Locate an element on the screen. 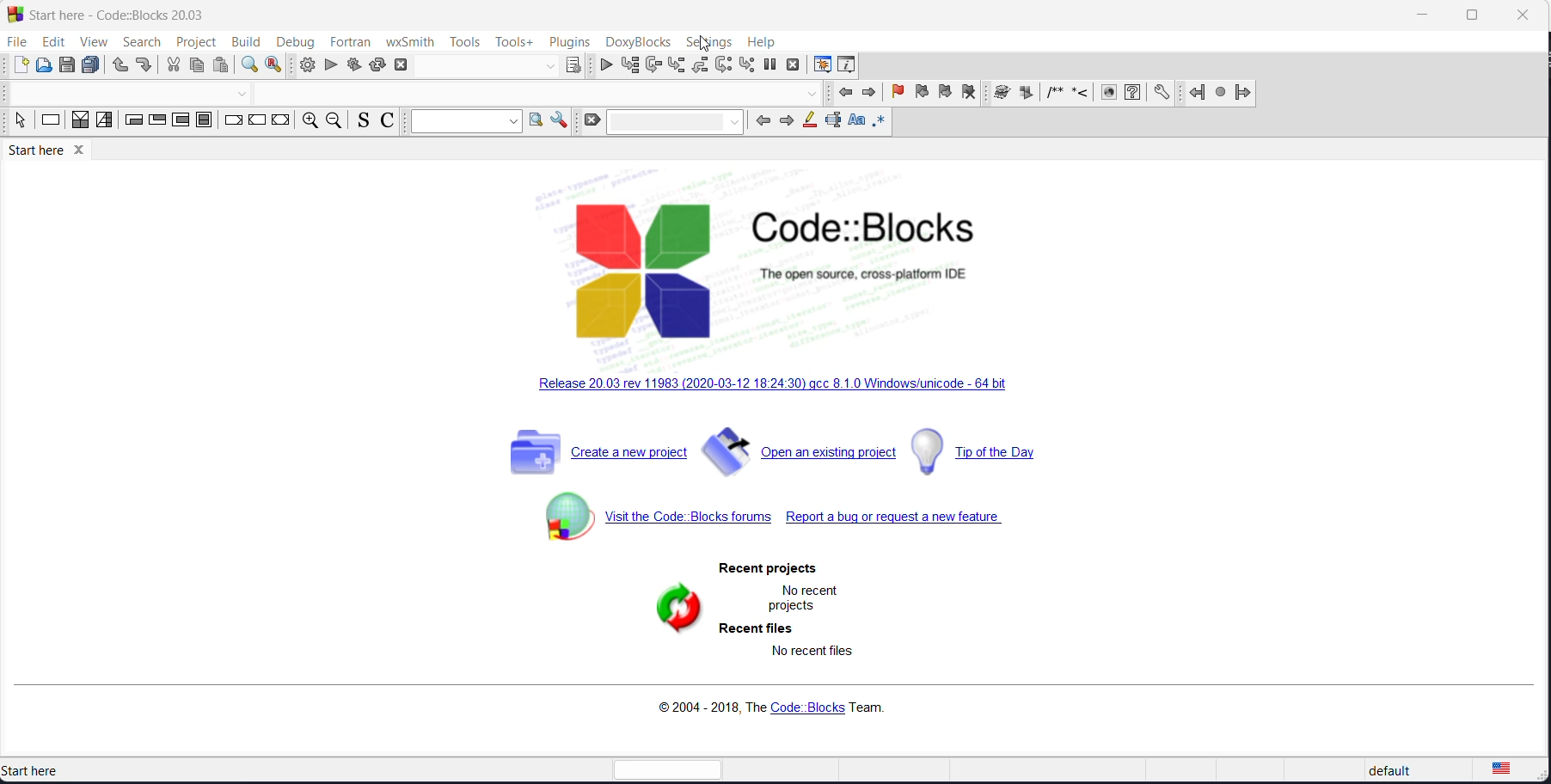 Image resolution: width=1551 pixels, height=784 pixels. debugging window is located at coordinates (822, 64).